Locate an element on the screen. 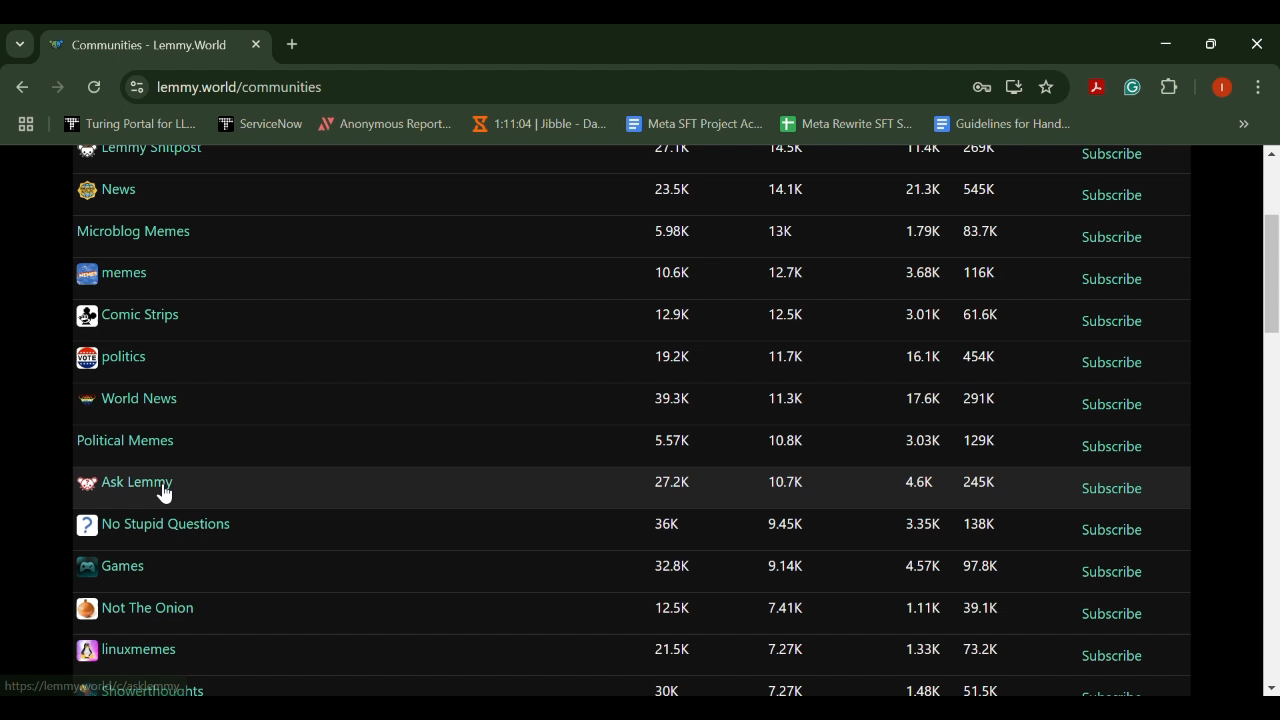 This screenshot has height=720, width=1280. Site Password Data Saved is located at coordinates (982, 88).